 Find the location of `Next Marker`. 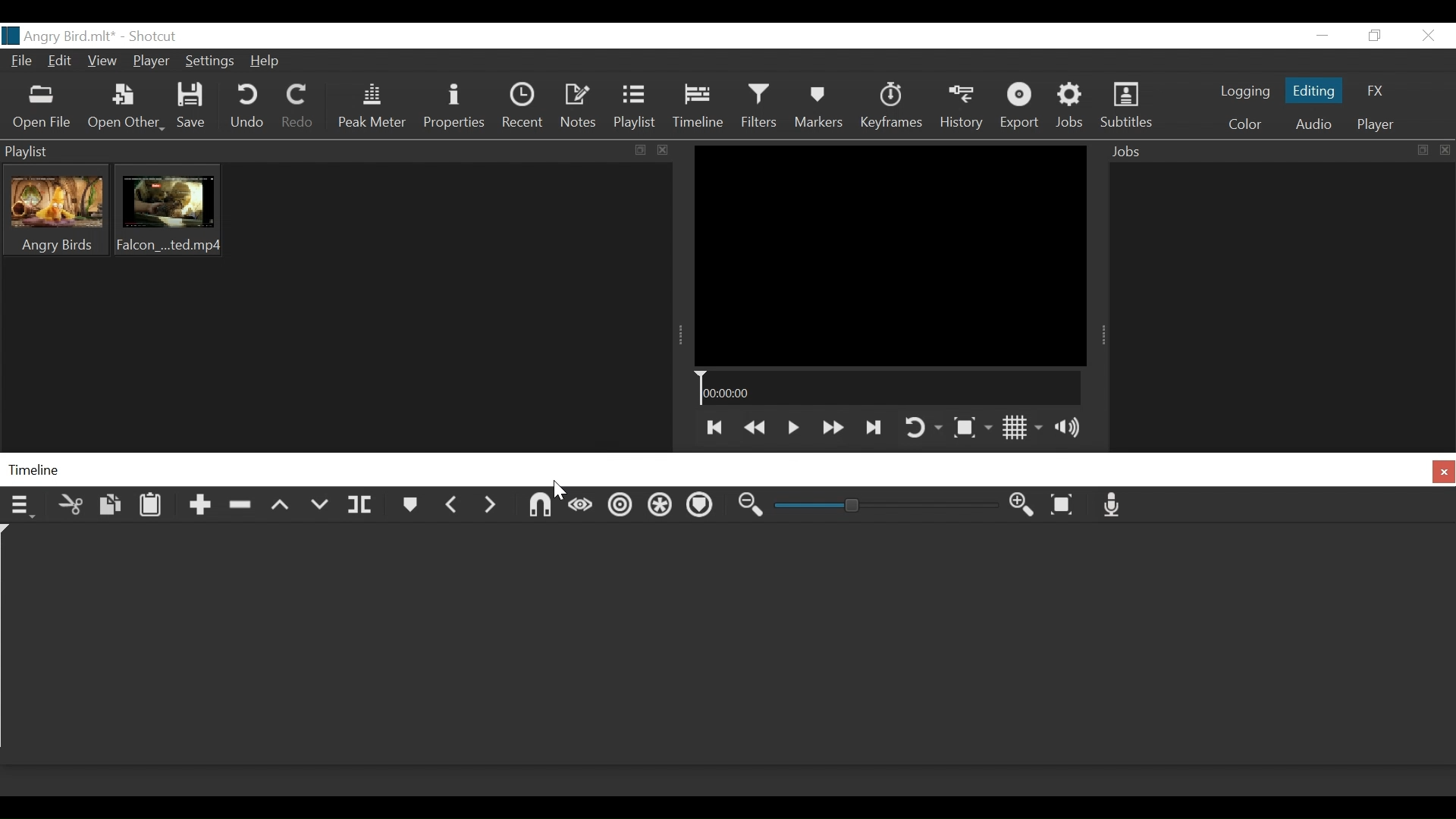

Next Marker is located at coordinates (490, 509).